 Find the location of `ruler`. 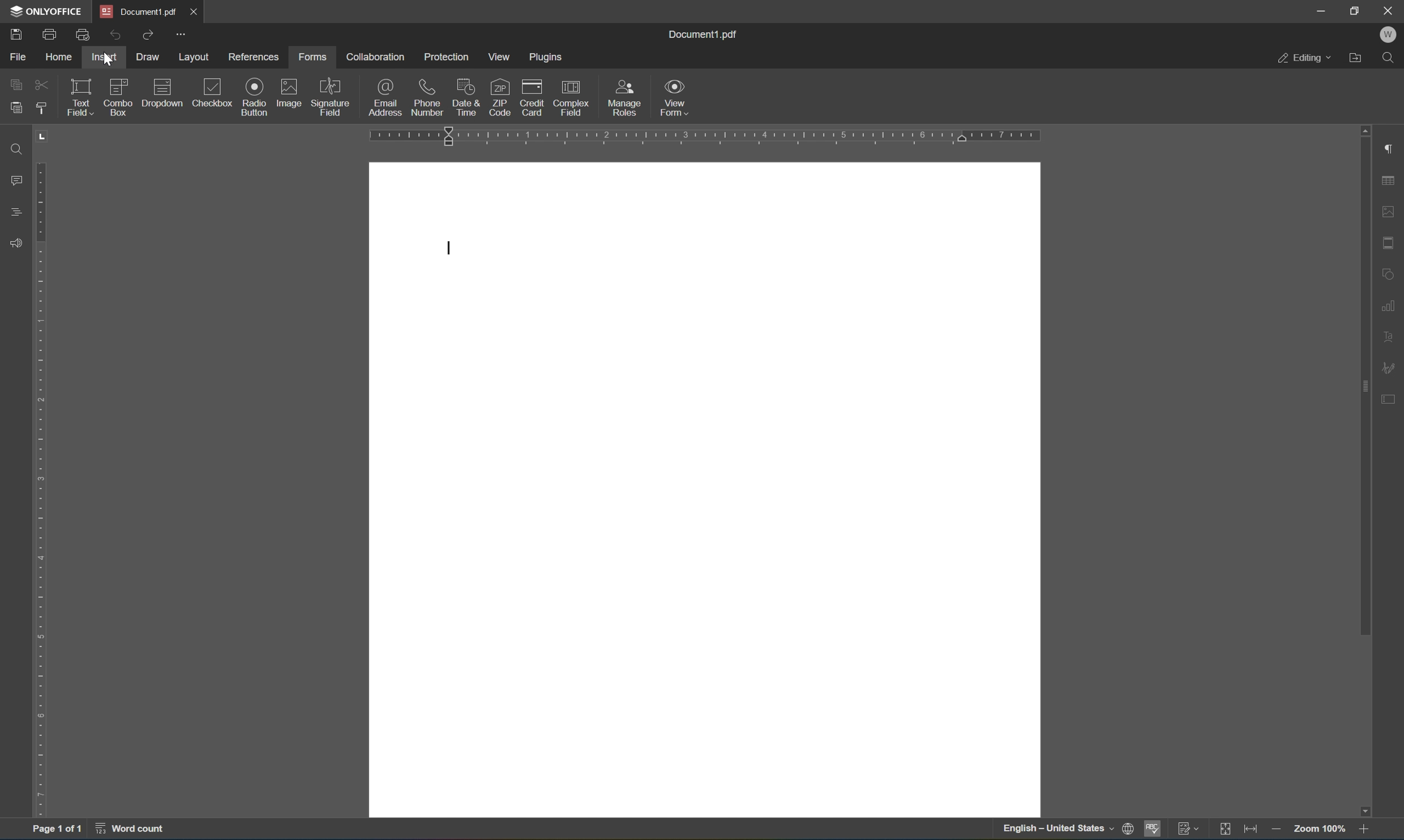

ruler is located at coordinates (703, 136).